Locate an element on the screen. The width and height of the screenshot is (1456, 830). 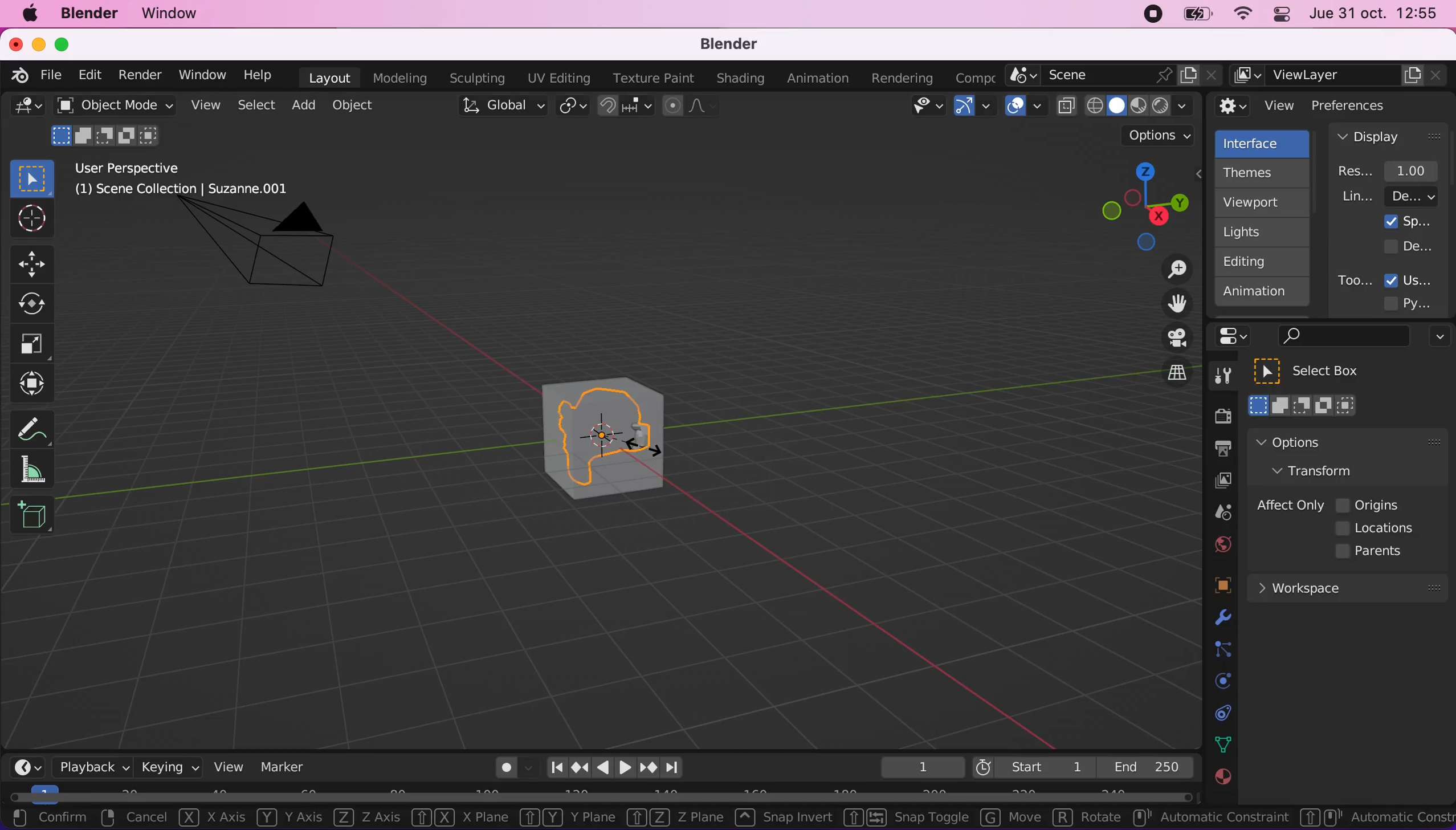
splash screen is located at coordinates (1408, 221).